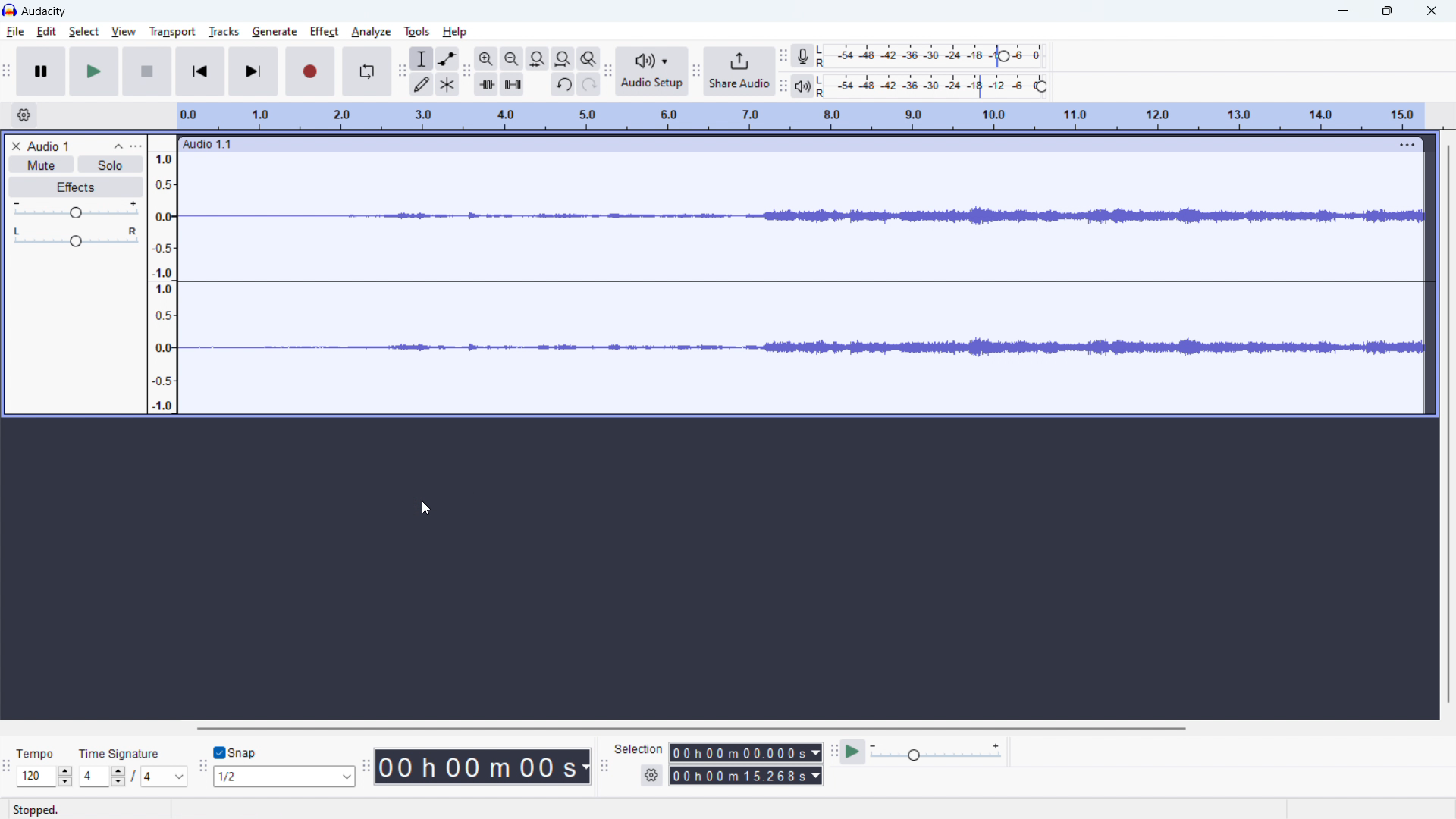  Describe the element at coordinates (123, 32) in the screenshot. I see `view` at that location.